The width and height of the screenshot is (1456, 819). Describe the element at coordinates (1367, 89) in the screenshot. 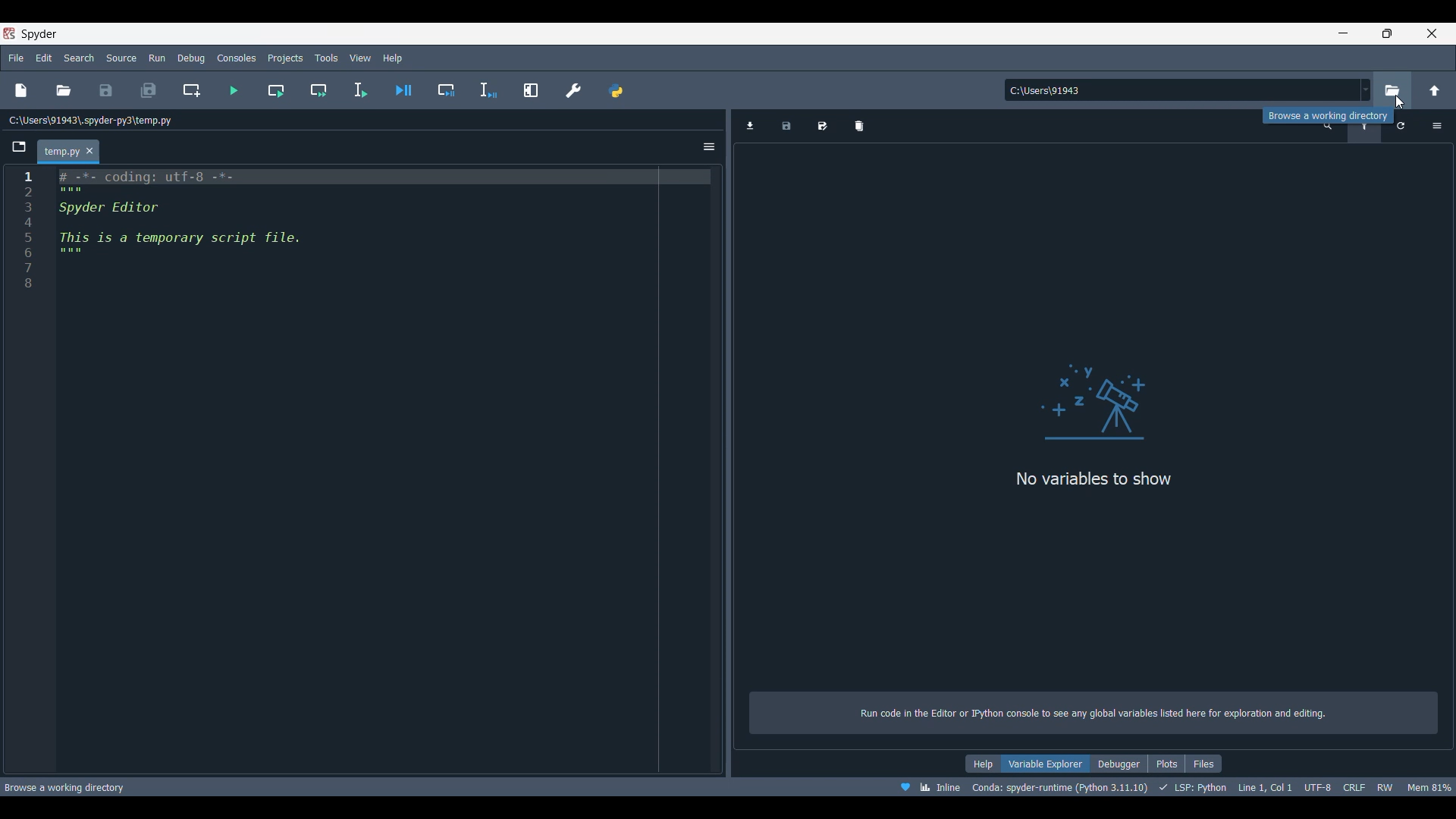

I see `Options for location` at that location.